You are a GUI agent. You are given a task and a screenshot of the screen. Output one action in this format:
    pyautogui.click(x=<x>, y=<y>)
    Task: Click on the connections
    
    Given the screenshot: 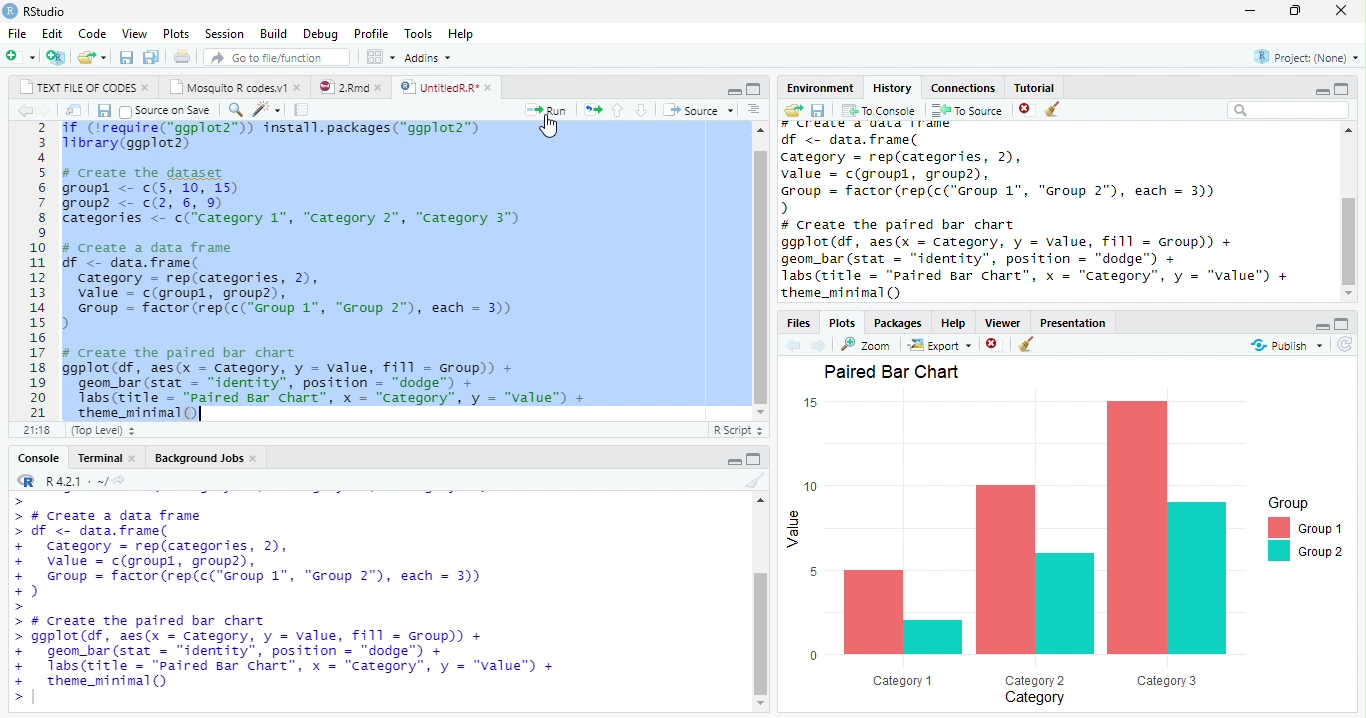 What is the action you would take?
    pyautogui.click(x=962, y=88)
    